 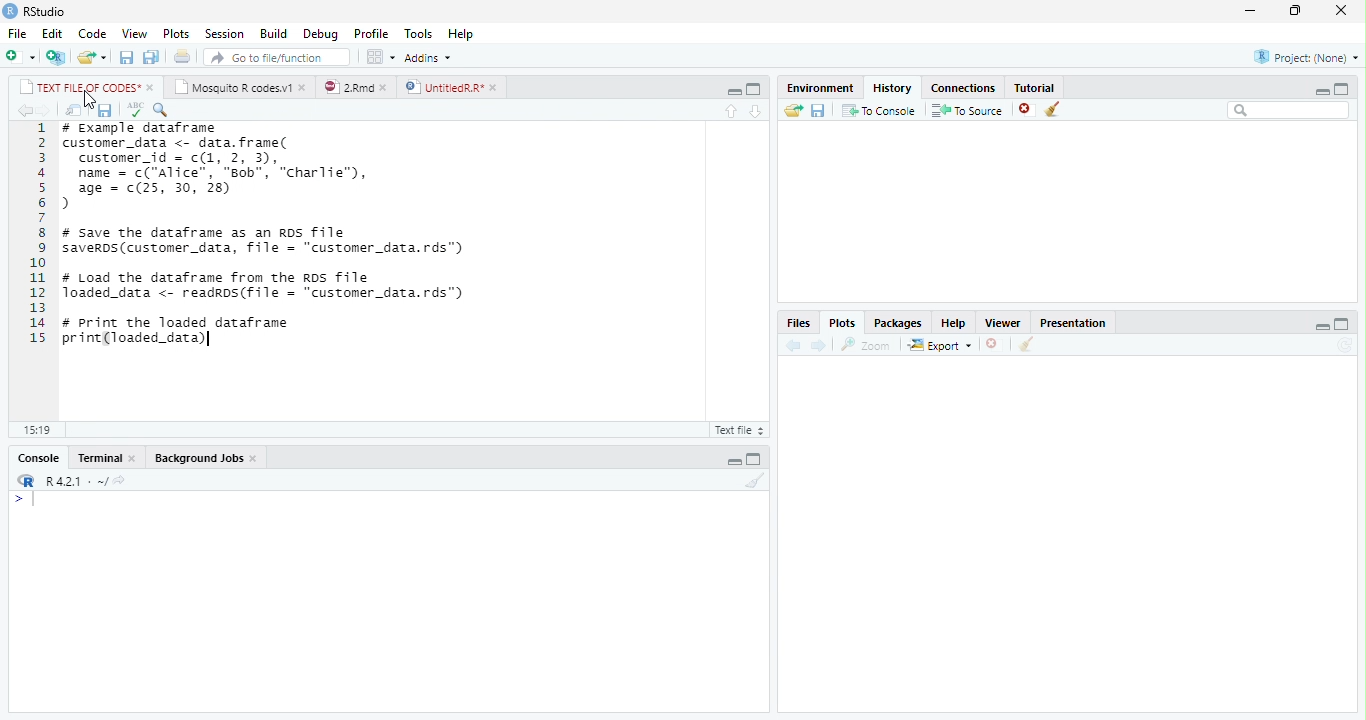 What do you see at coordinates (842, 323) in the screenshot?
I see `Plots` at bounding box center [842, 323].